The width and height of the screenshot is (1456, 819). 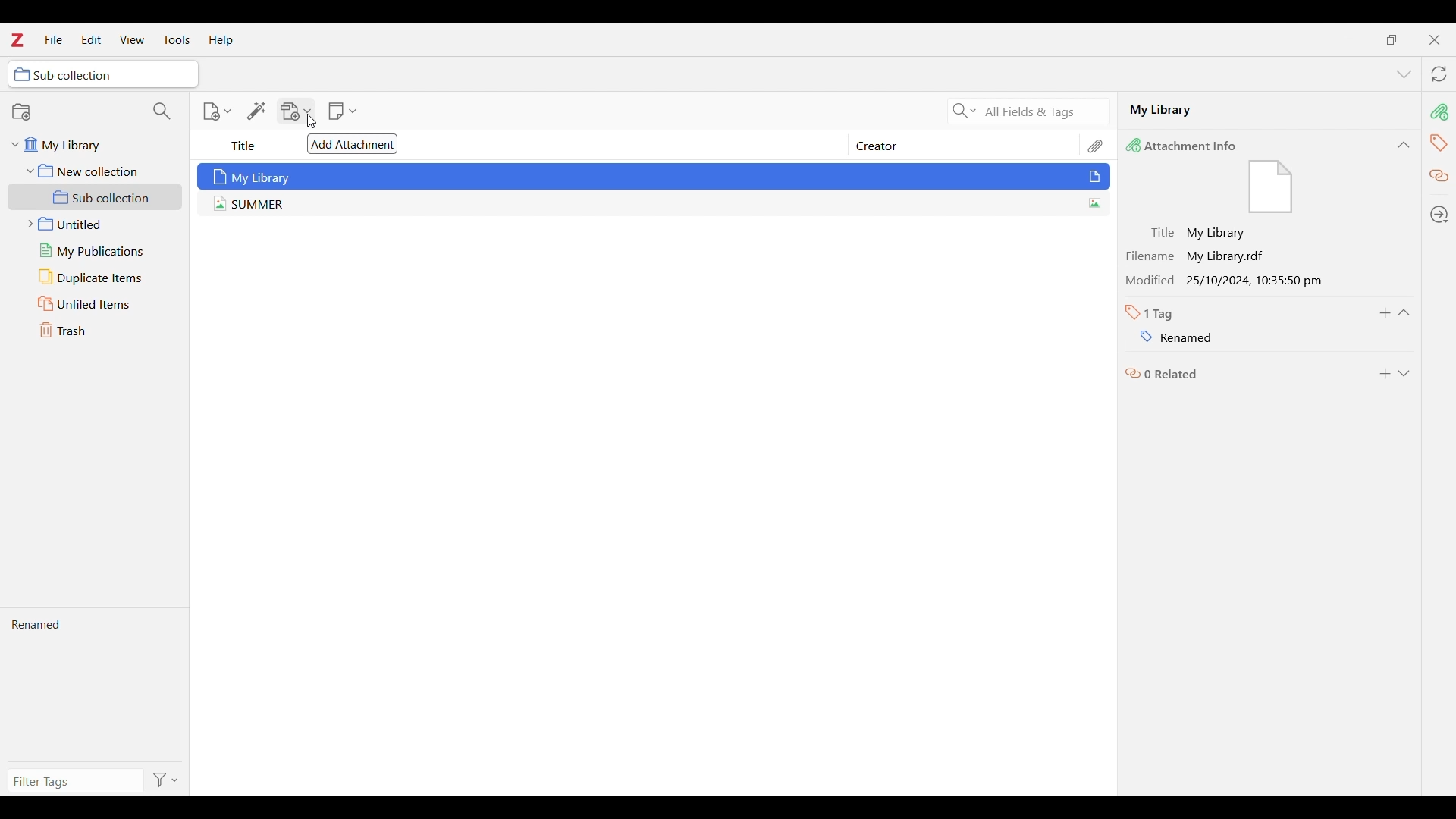 I want to click on Name of tag, so click(x=1167, y=335).